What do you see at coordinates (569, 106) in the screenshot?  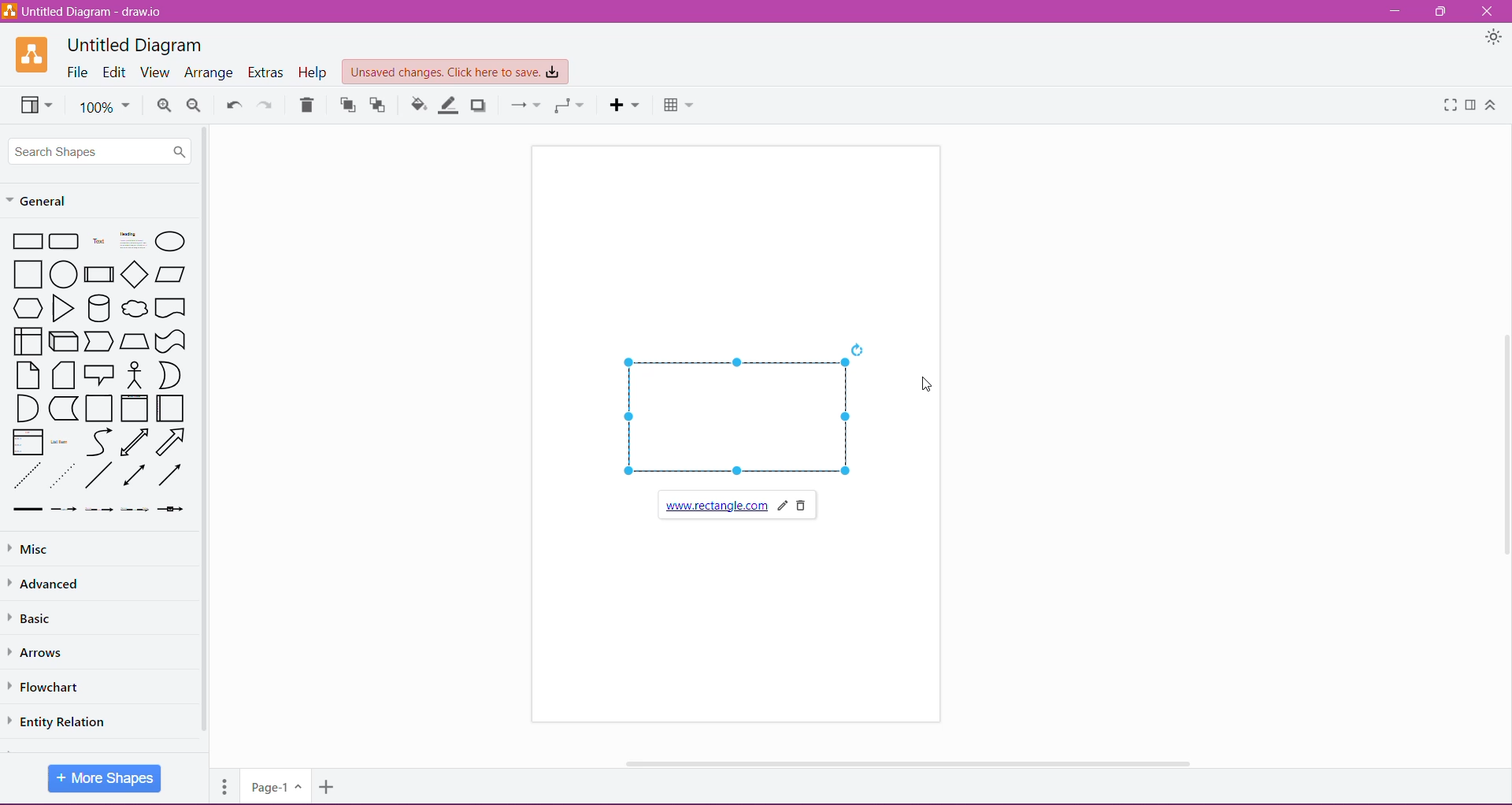 I see `Waypoints` at bounding box center [569, 106].